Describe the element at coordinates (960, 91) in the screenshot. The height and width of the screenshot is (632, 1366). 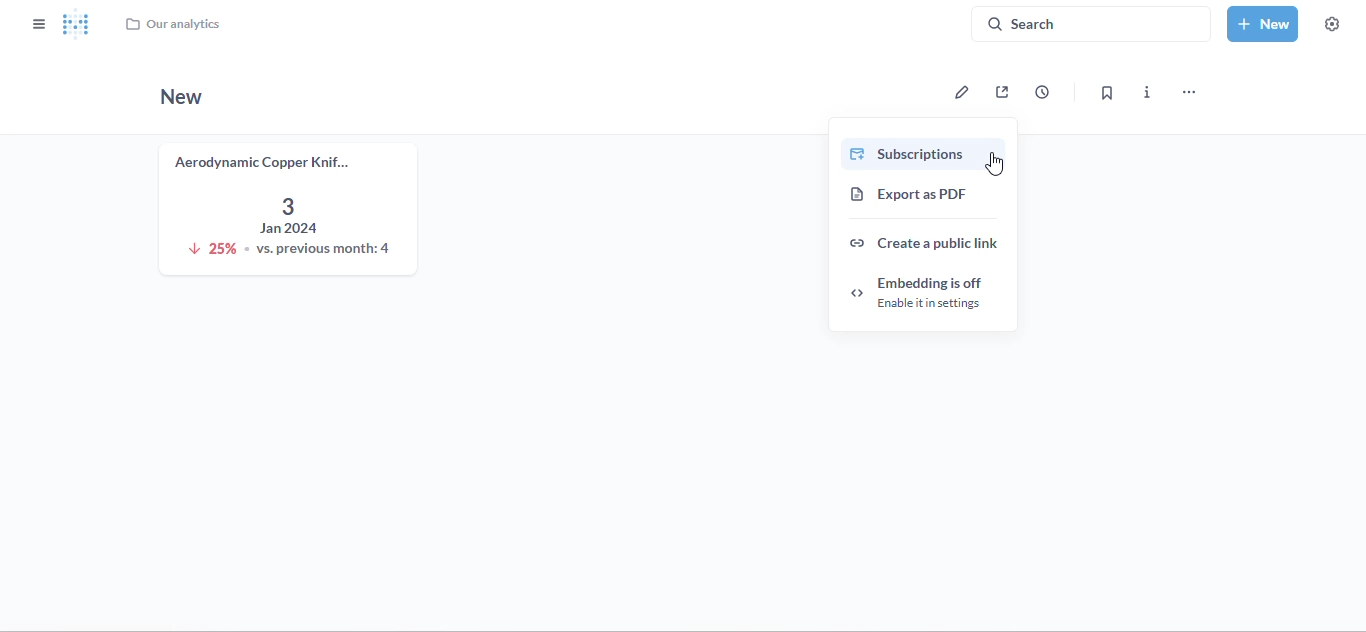
I see `edit dashboard` at that location.